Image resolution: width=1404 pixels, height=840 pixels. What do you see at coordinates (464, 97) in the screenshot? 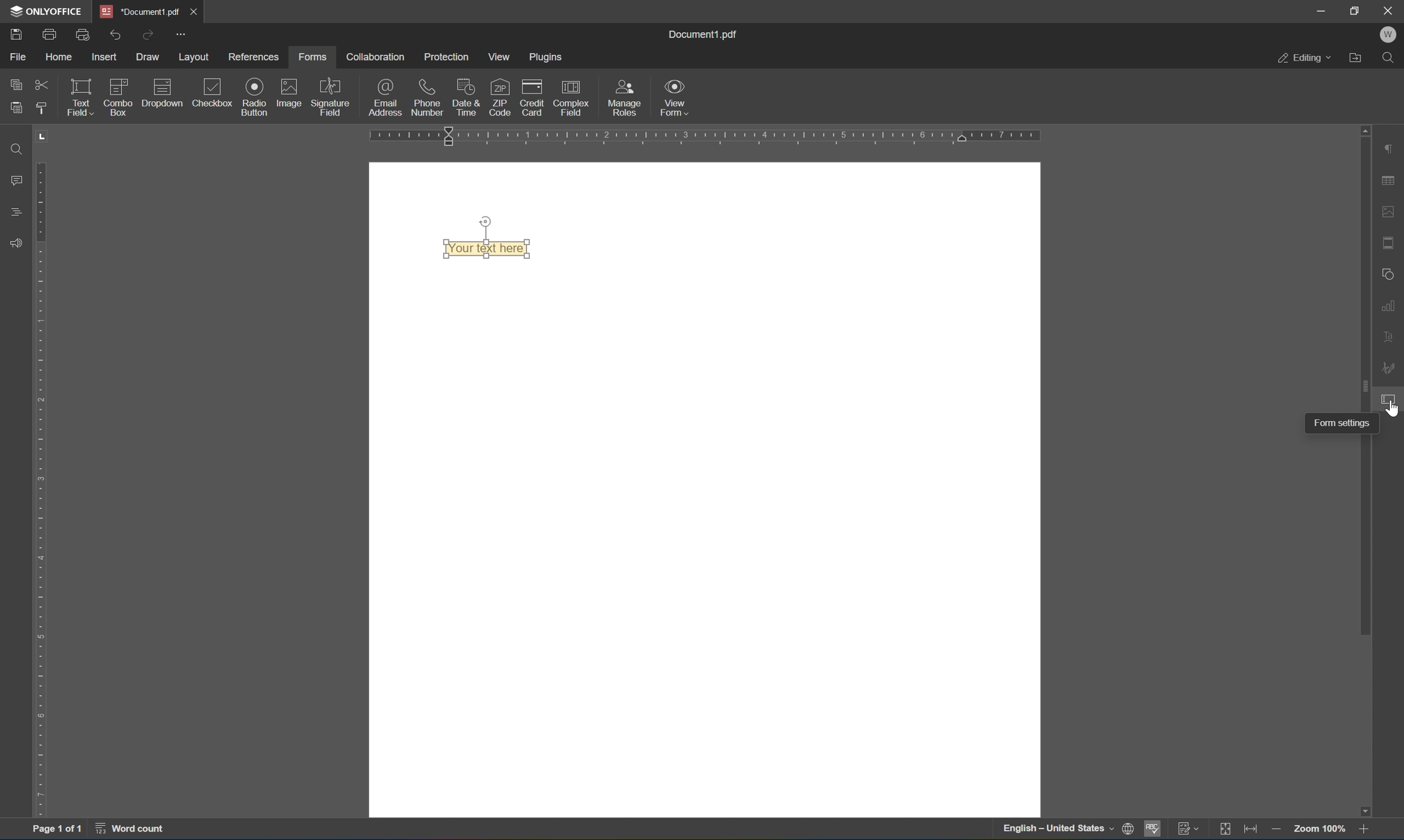
I see `date and time` at bounding box center [464, 97].